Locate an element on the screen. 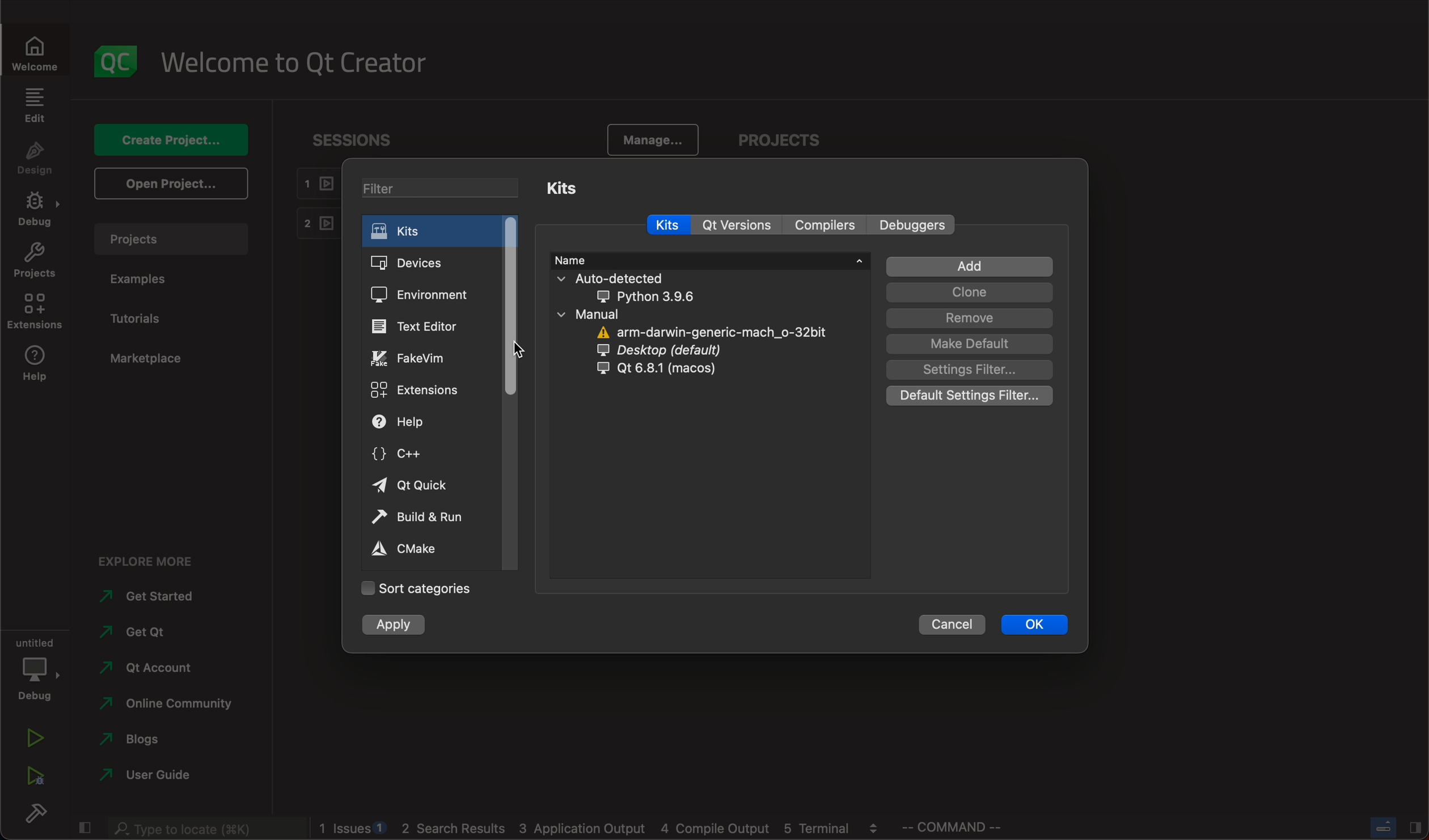 Image resolution: width=1429 pixels, height=840 pixels. run is located at coordinates (37, 740).